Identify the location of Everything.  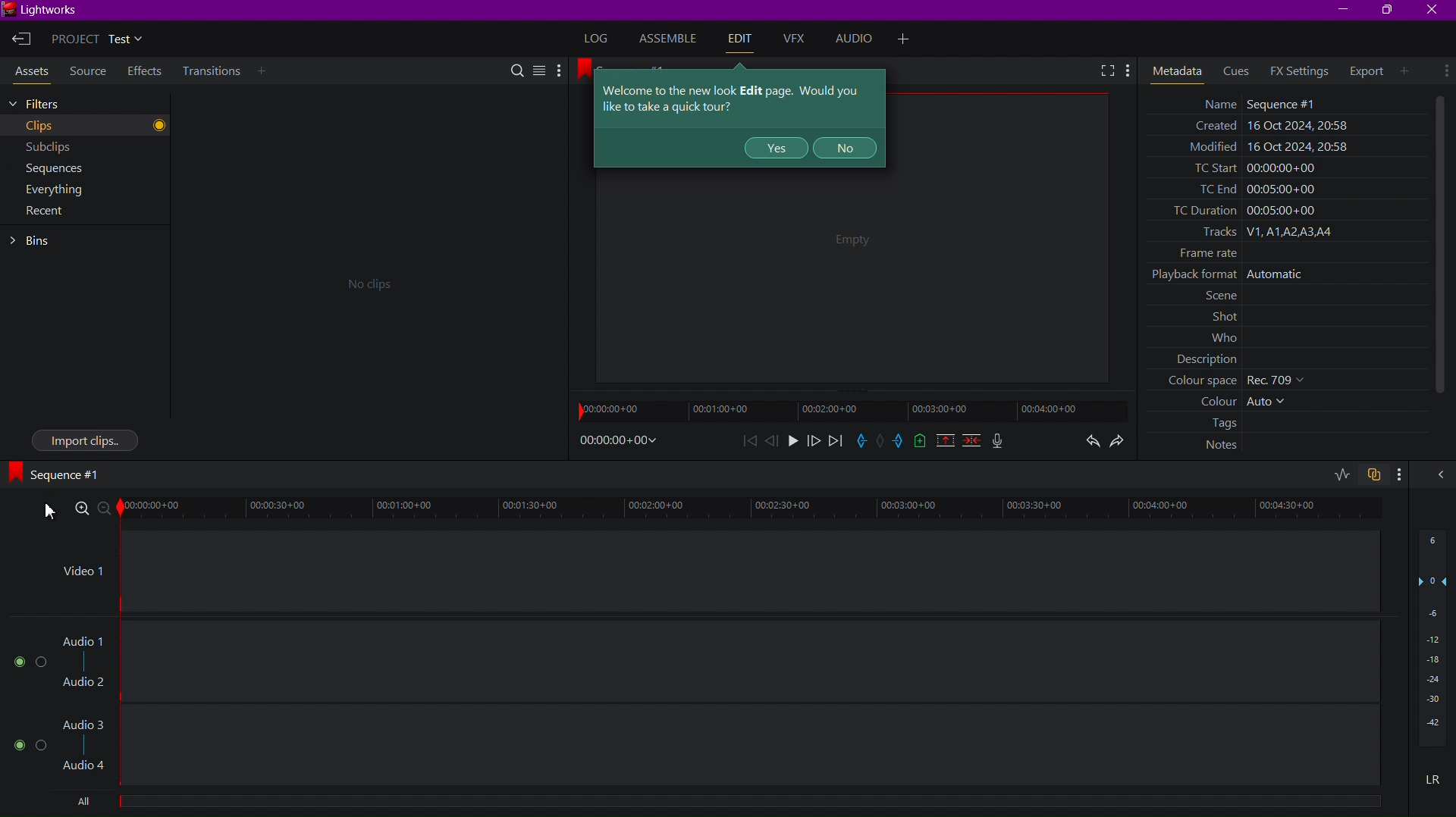
(52, 189).